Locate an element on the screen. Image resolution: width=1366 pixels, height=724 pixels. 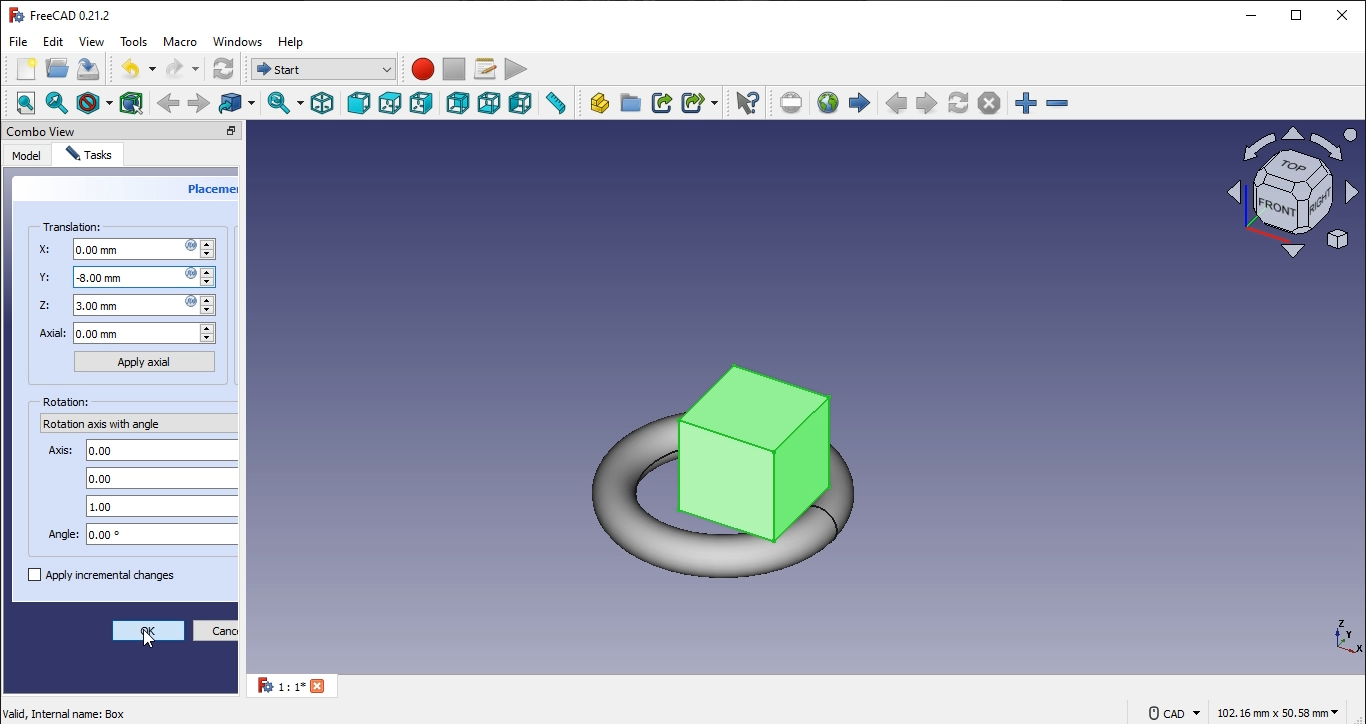
next page is located at coordinates (927, 103).